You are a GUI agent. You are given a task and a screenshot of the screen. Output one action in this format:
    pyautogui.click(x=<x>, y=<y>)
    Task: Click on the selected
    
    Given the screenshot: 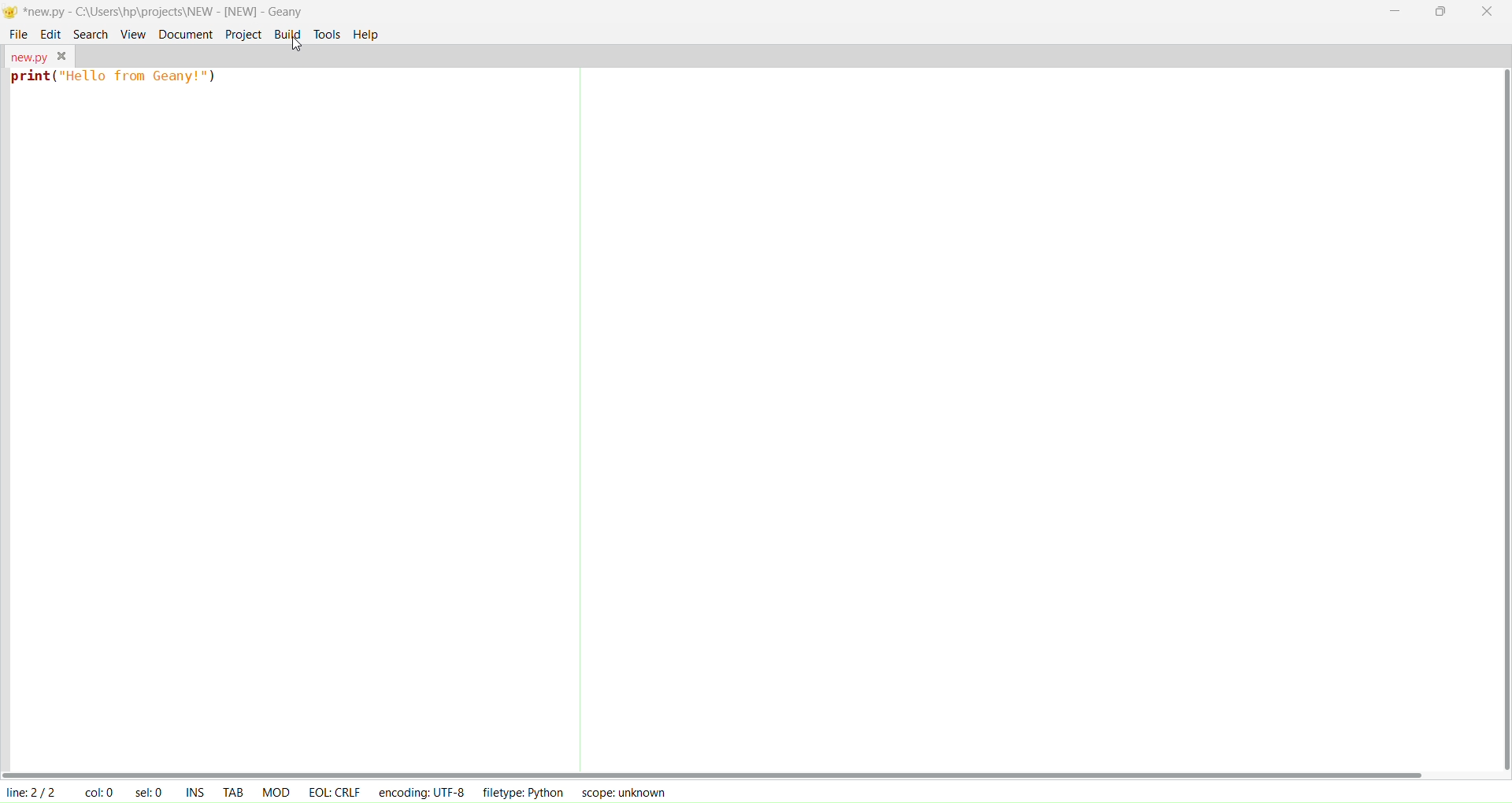 What is the action you would take?
    pyautogui.click(x=151, y=791)
    